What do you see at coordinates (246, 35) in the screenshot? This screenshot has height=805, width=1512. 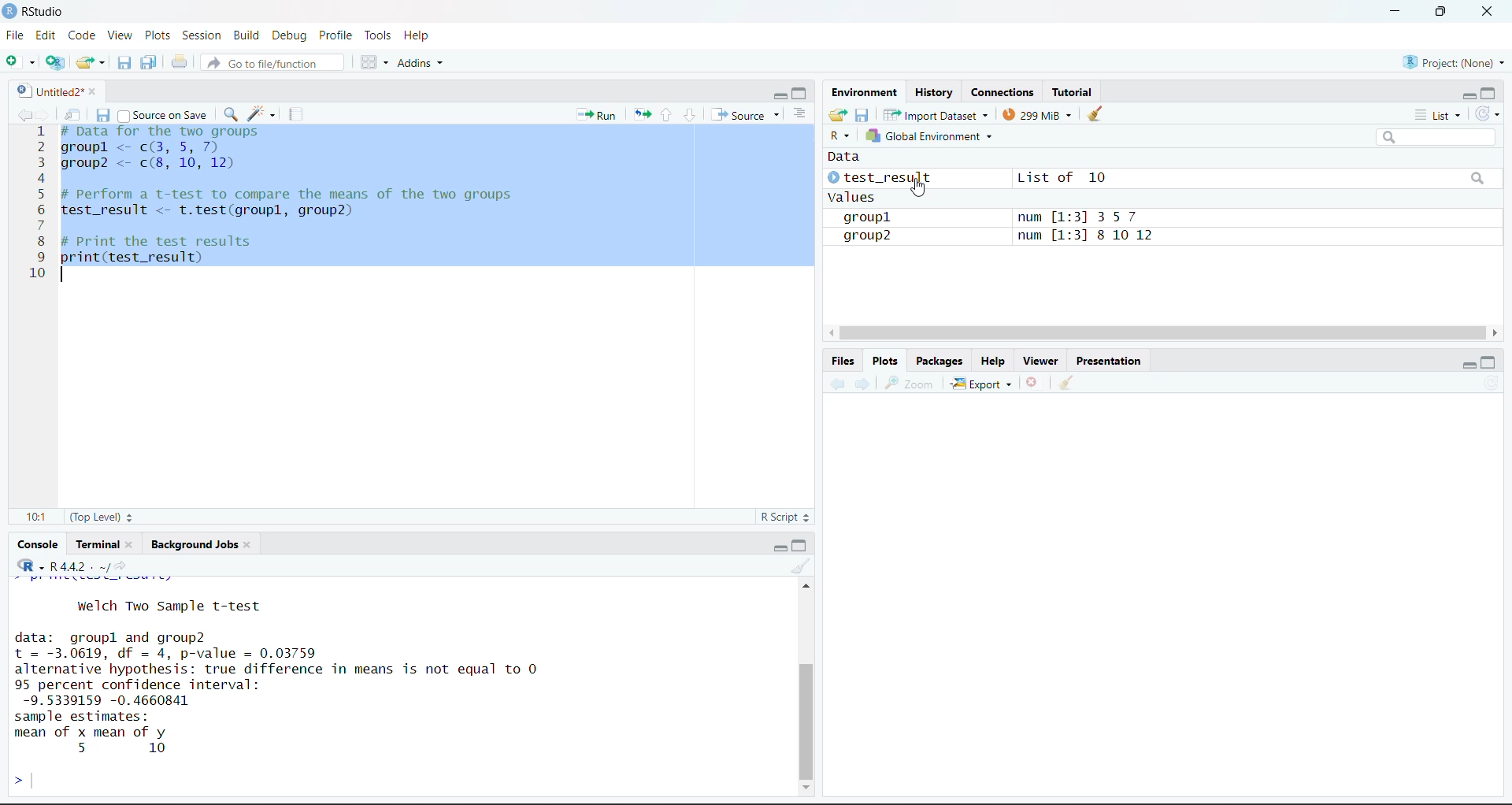 I see `Build` at bounding box center [246, 35].